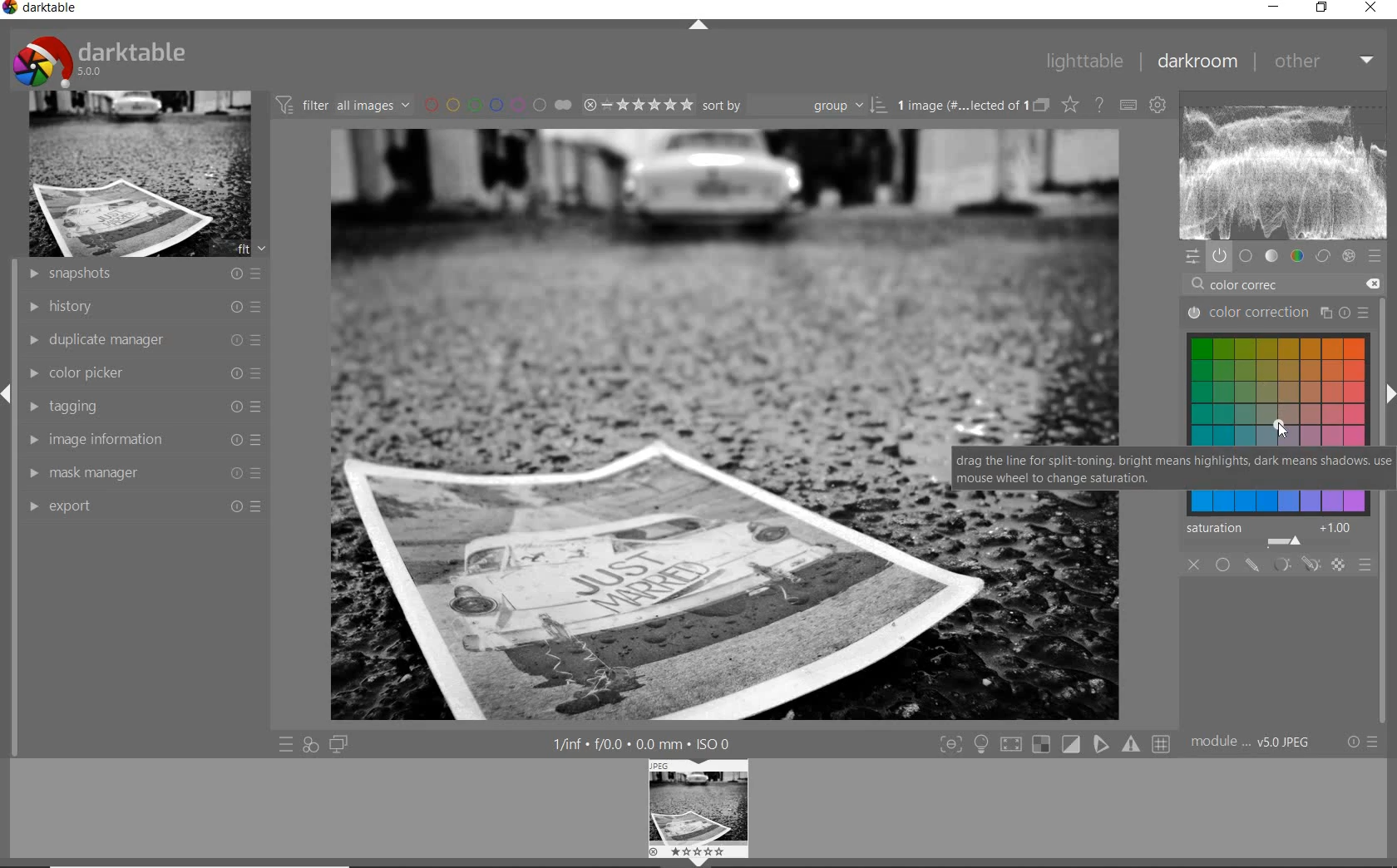 Image resolution: width=1397 pixels, height=868 pixels. What do you see at coordinates (1220, 257) in the screenshot?
I see `show only active module` at bounding box center [1220, 257].